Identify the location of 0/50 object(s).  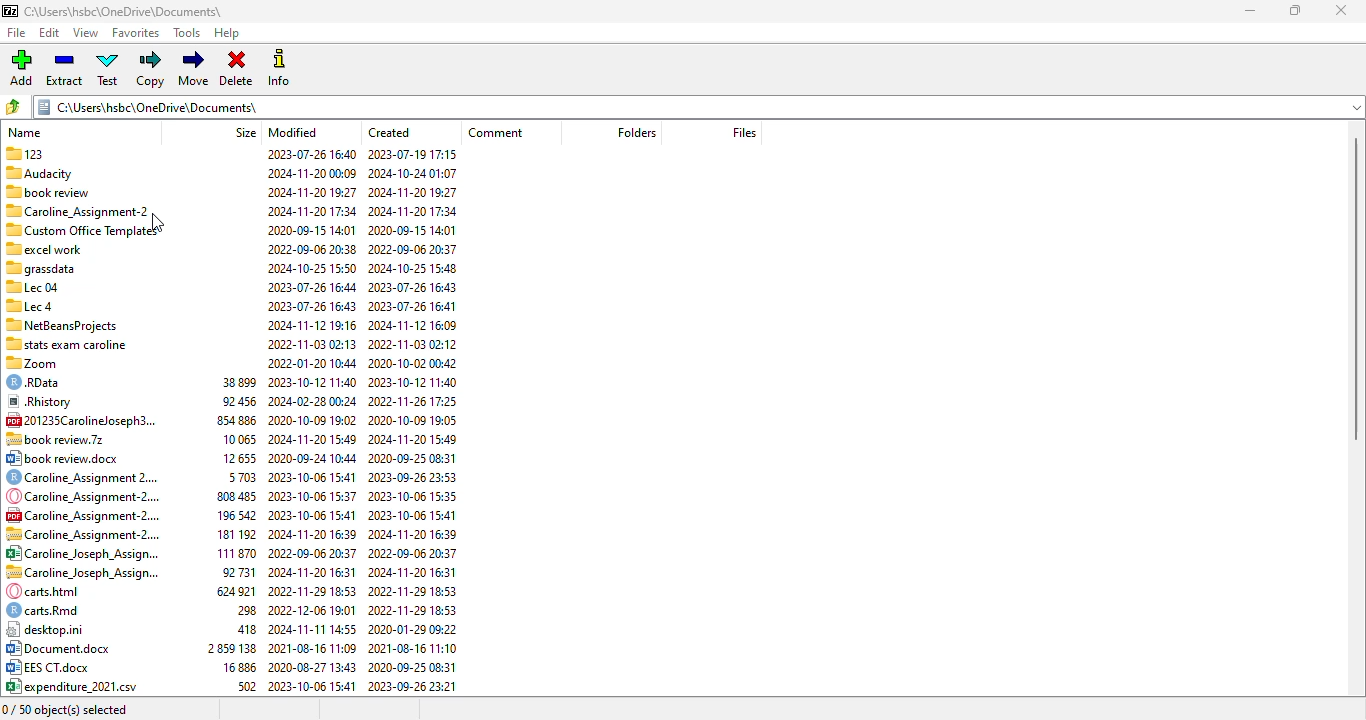
(67, 710).